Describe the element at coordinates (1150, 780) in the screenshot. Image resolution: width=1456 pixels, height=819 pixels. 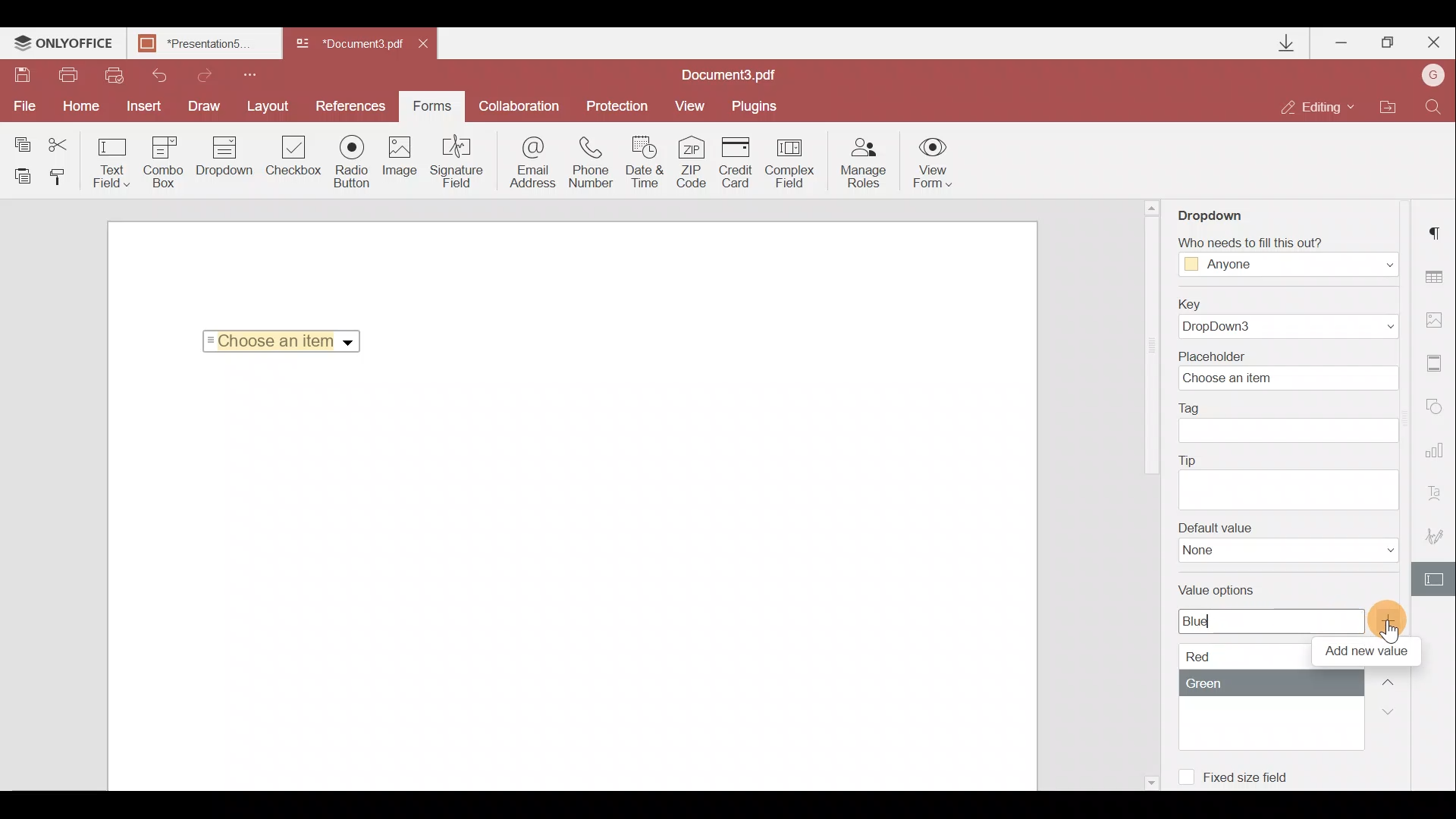
I see `Scroll down` at that location.